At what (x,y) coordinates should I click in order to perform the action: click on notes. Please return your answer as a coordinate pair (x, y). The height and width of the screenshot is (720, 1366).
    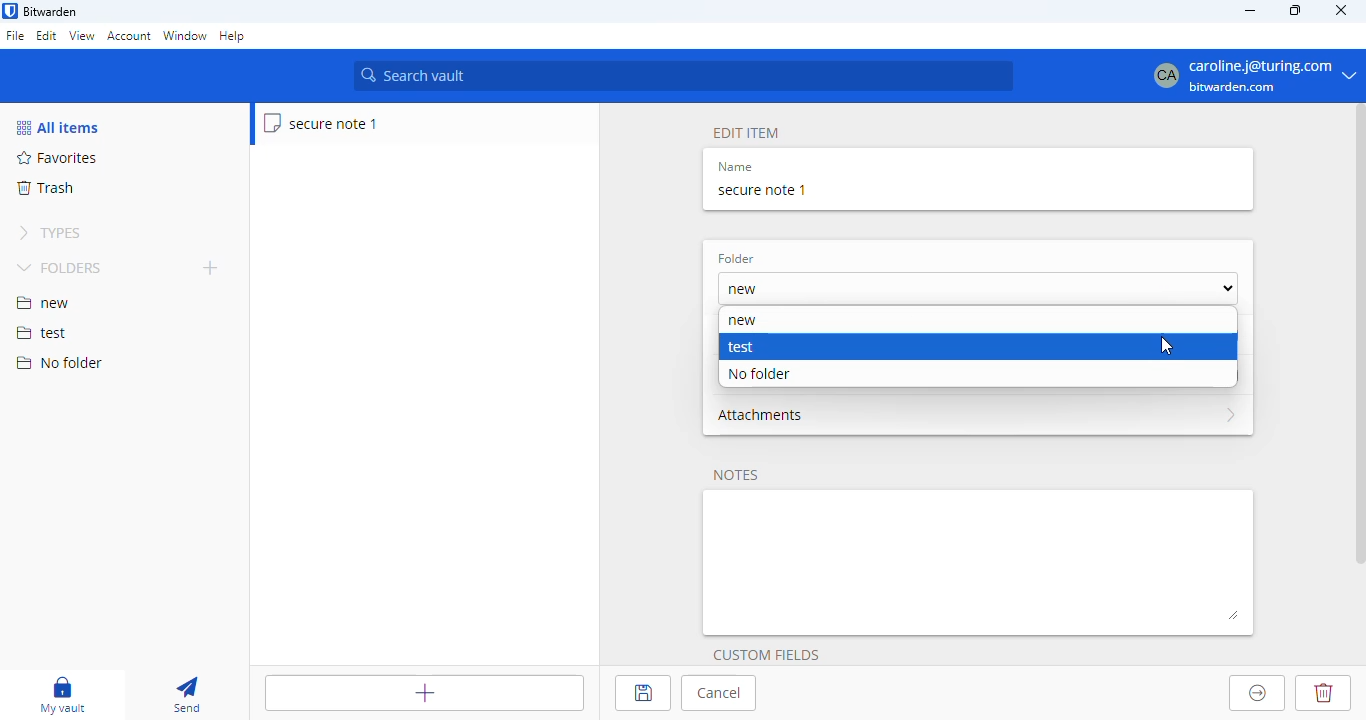
    Looking at the image, I should click on (736, 476).